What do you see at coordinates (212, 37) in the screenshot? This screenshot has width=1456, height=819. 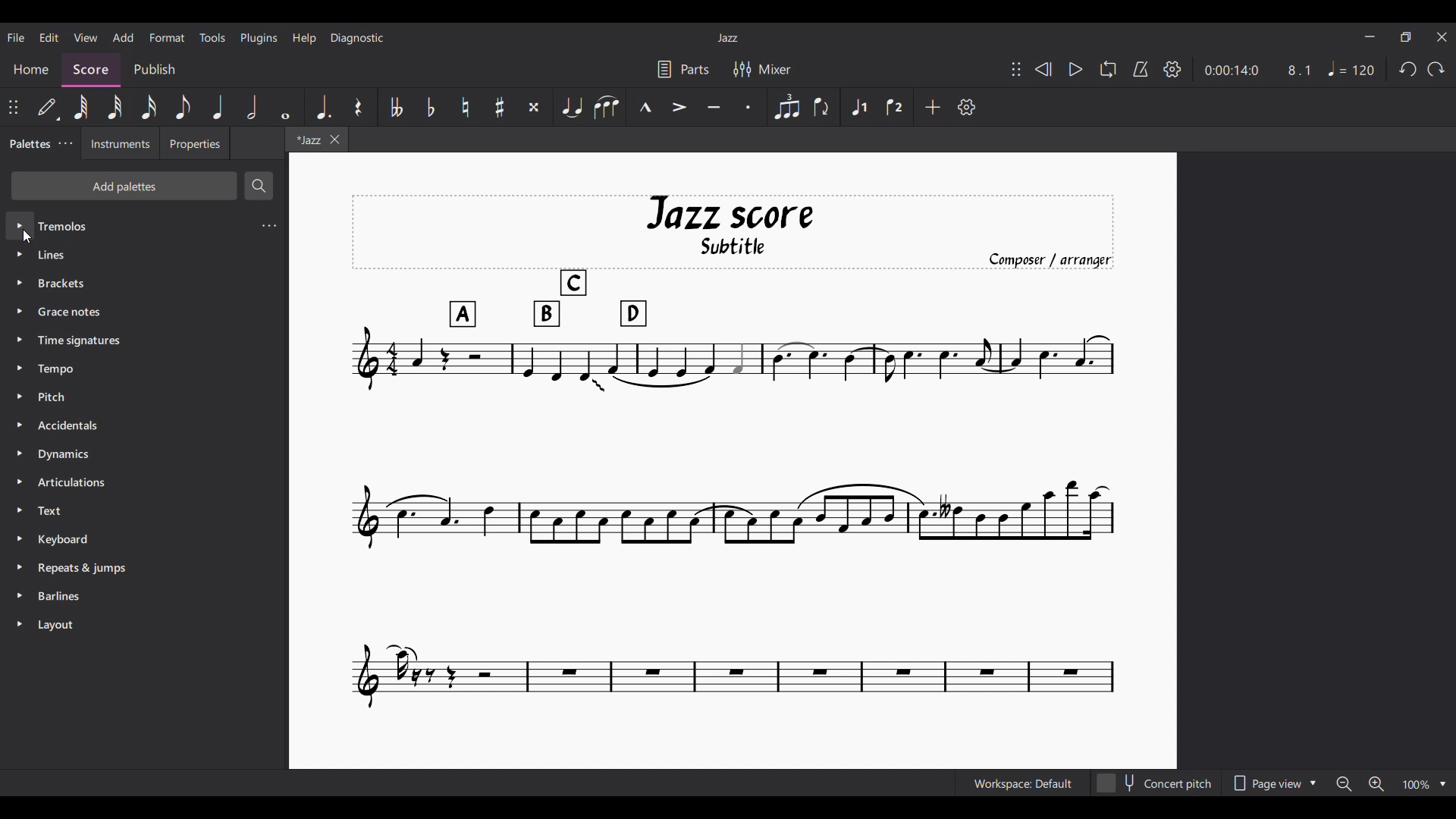 I see `Tools` at bounding box center [212, 37].